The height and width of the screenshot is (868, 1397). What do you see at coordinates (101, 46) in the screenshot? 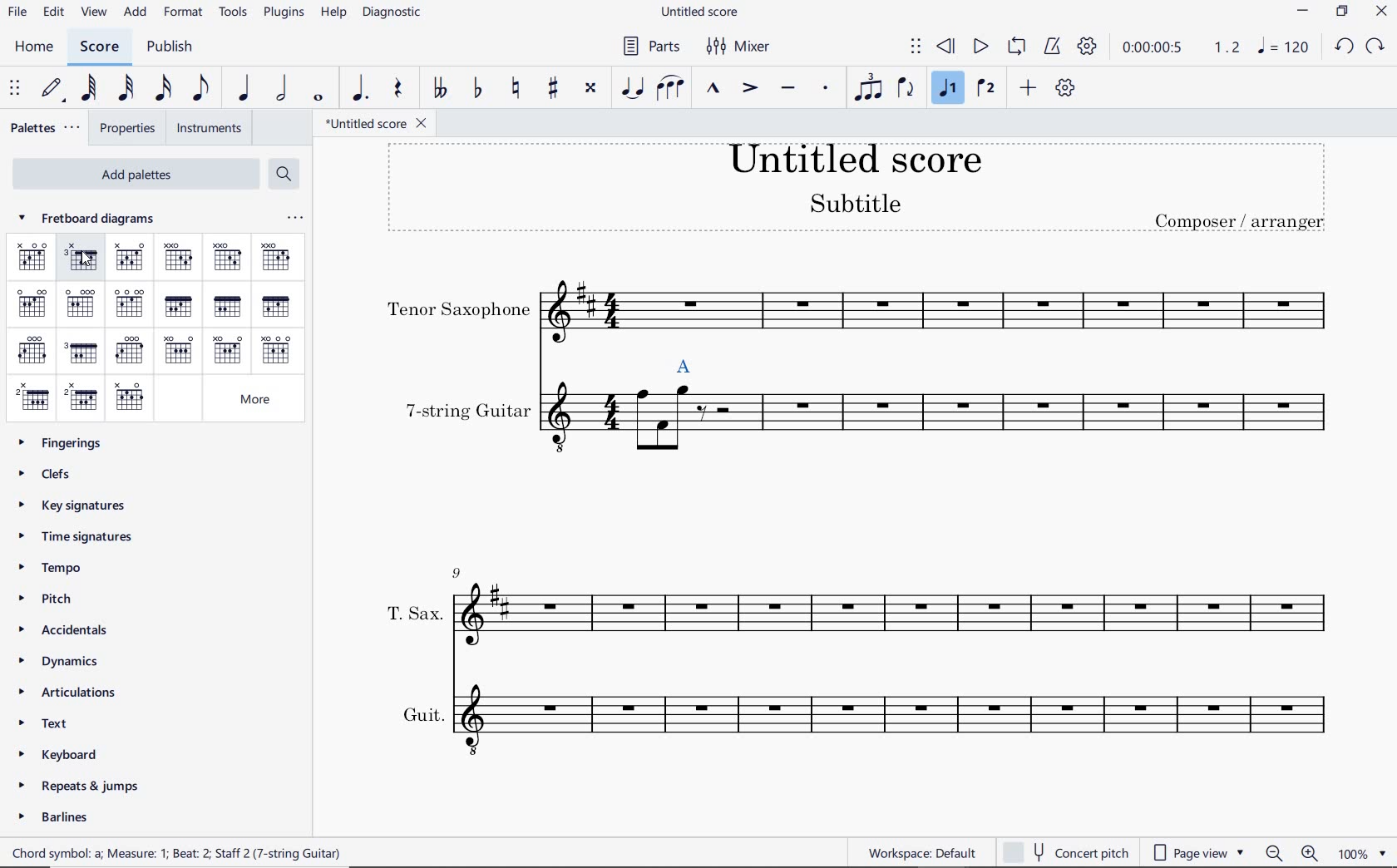
I see `SCORE` at bounding box center [101, 46].